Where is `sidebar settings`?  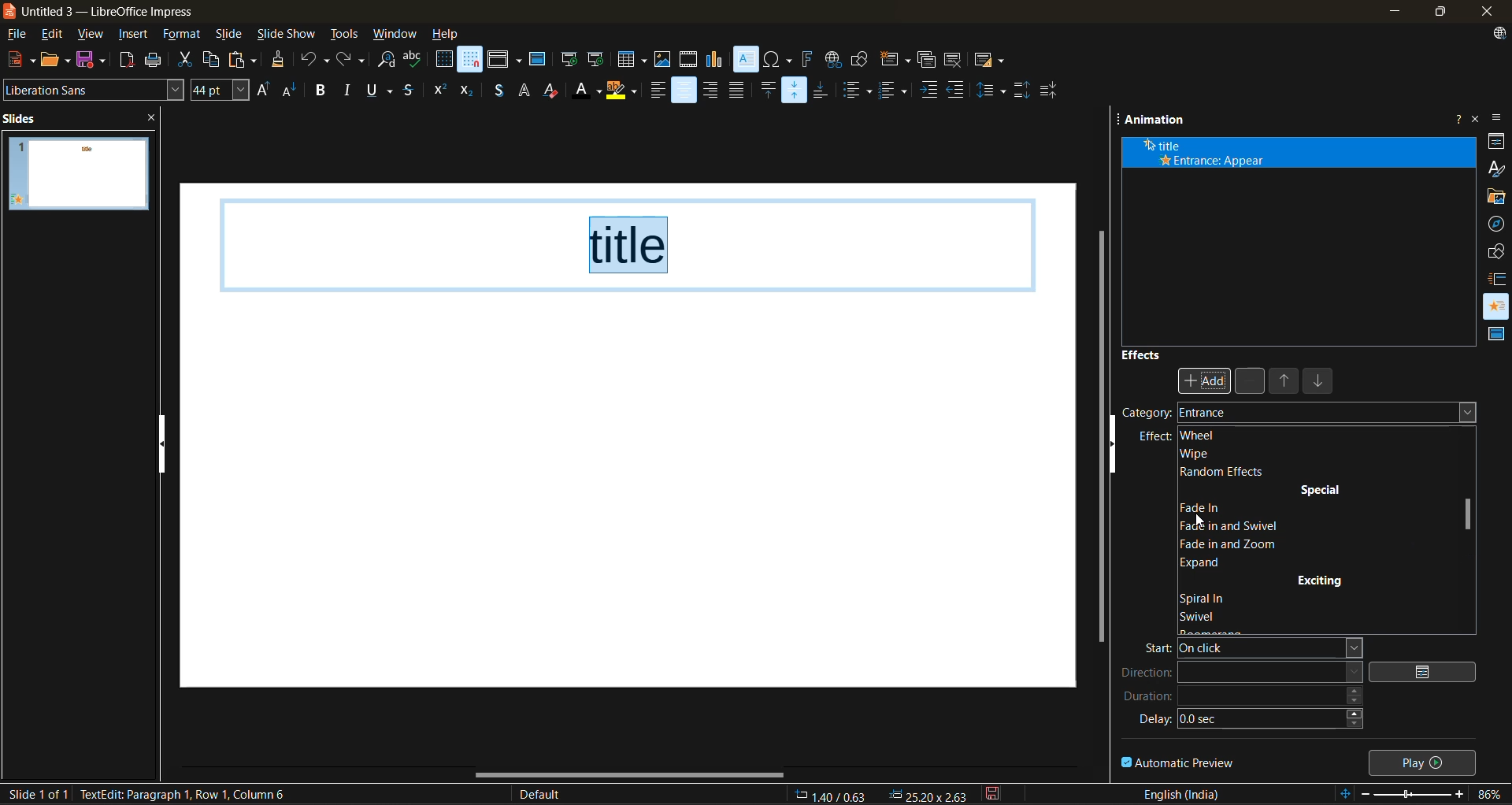
sidebar settings is located at coordinates (1499, 119).